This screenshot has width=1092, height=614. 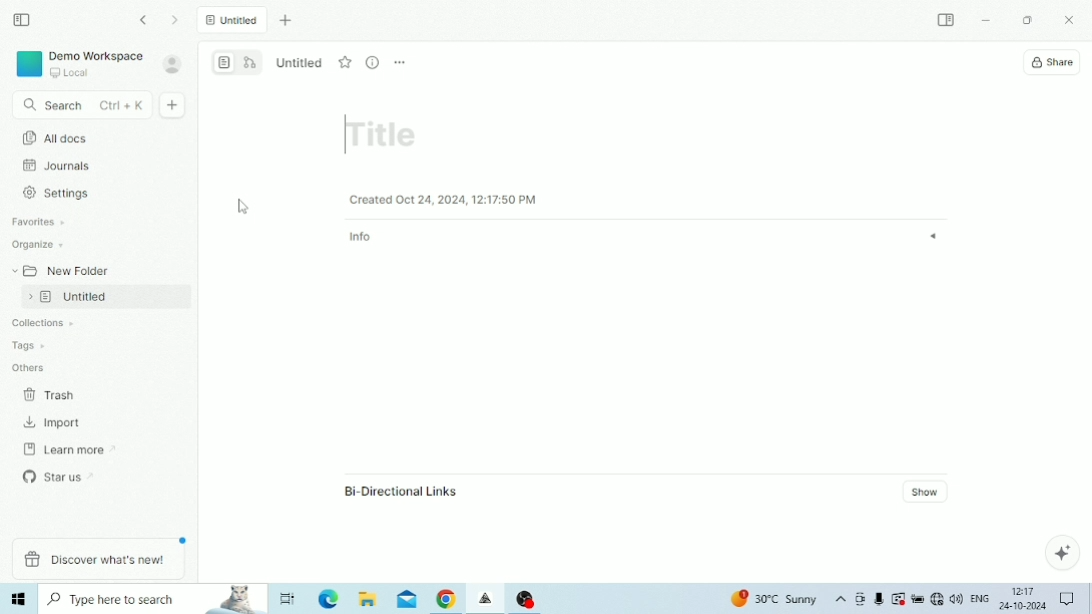 I want to click on Time, so click(x=1024, y=590).